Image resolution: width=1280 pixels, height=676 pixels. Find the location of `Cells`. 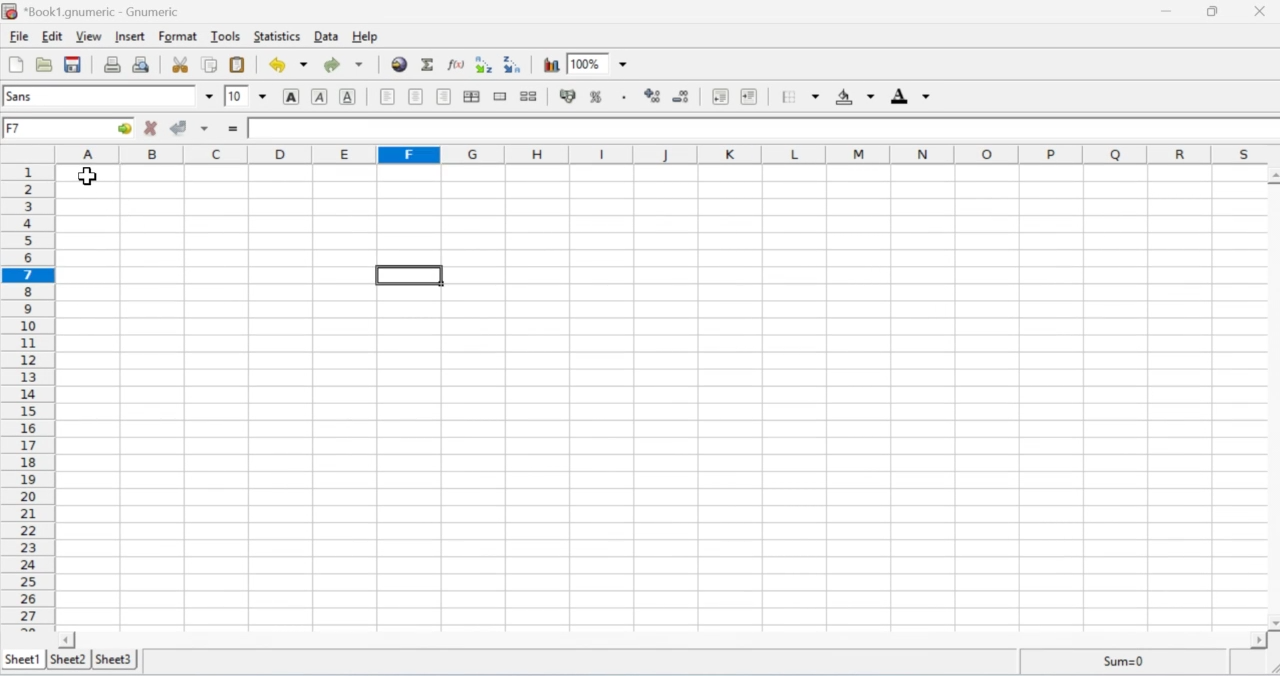

Cells is located at coordinates (651, 396).